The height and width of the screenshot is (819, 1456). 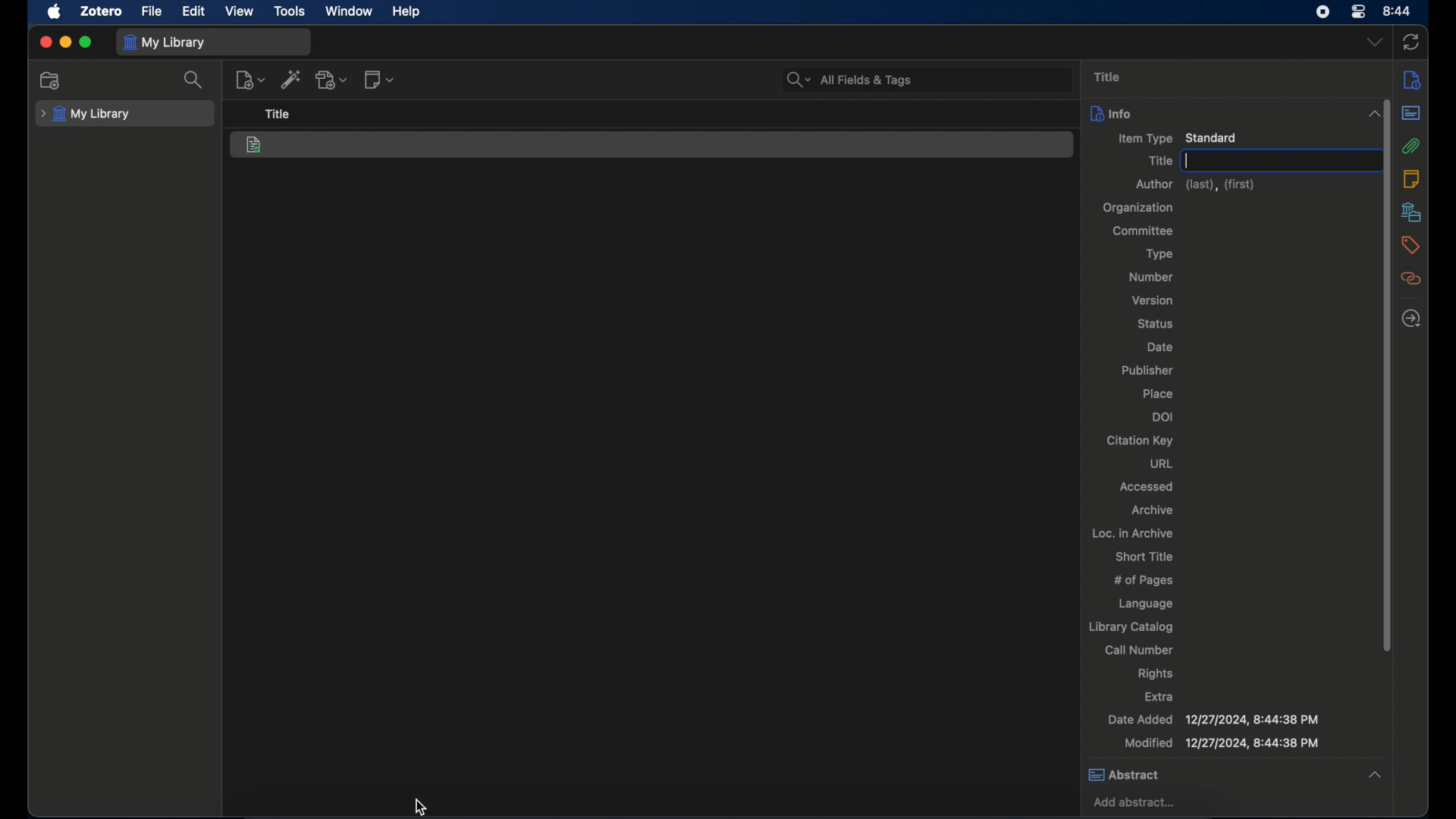 I want to click on title, so click(x=1106, y=76).